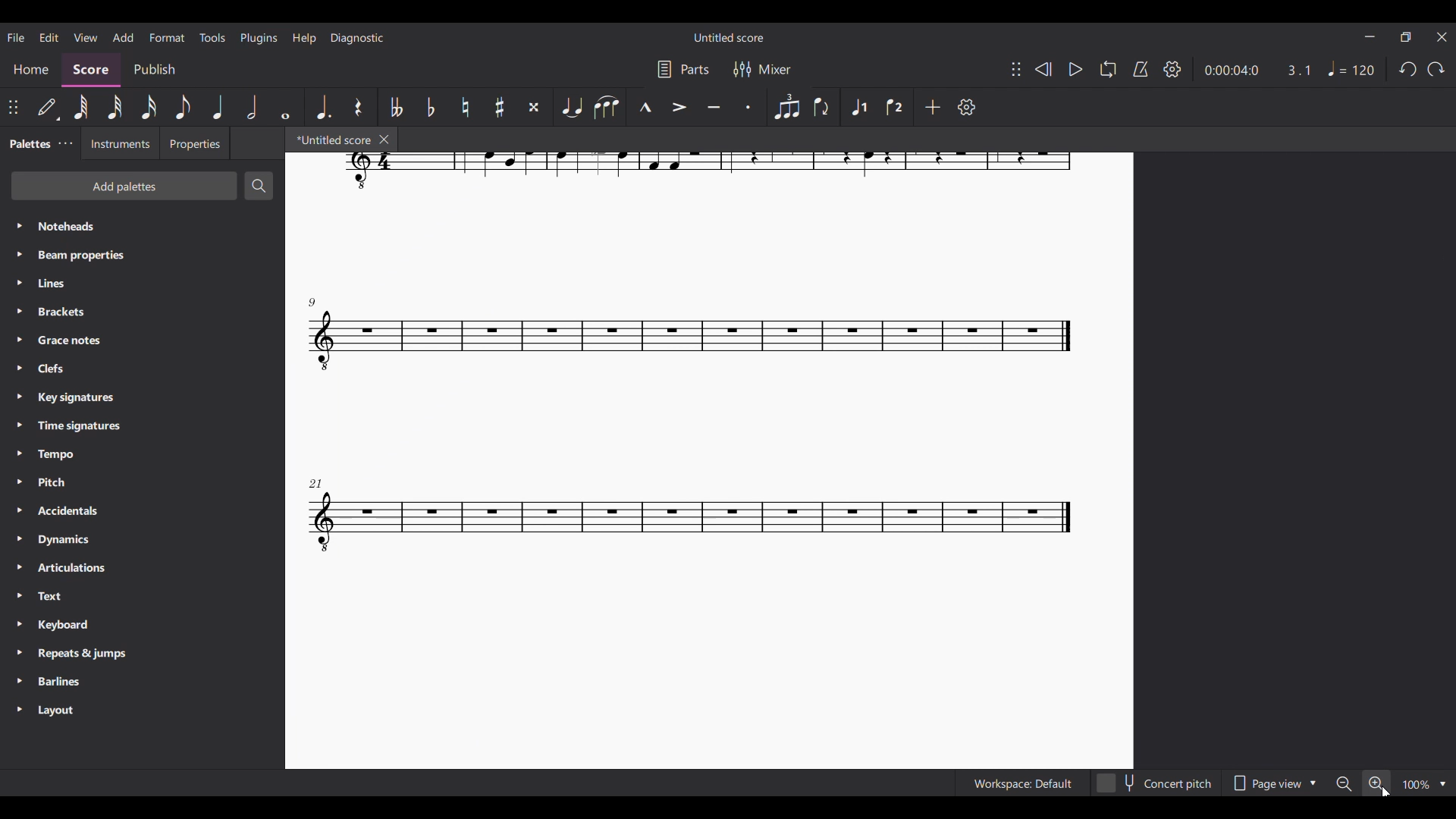  I want to click on Diagnostic menu, so click(356, 39).